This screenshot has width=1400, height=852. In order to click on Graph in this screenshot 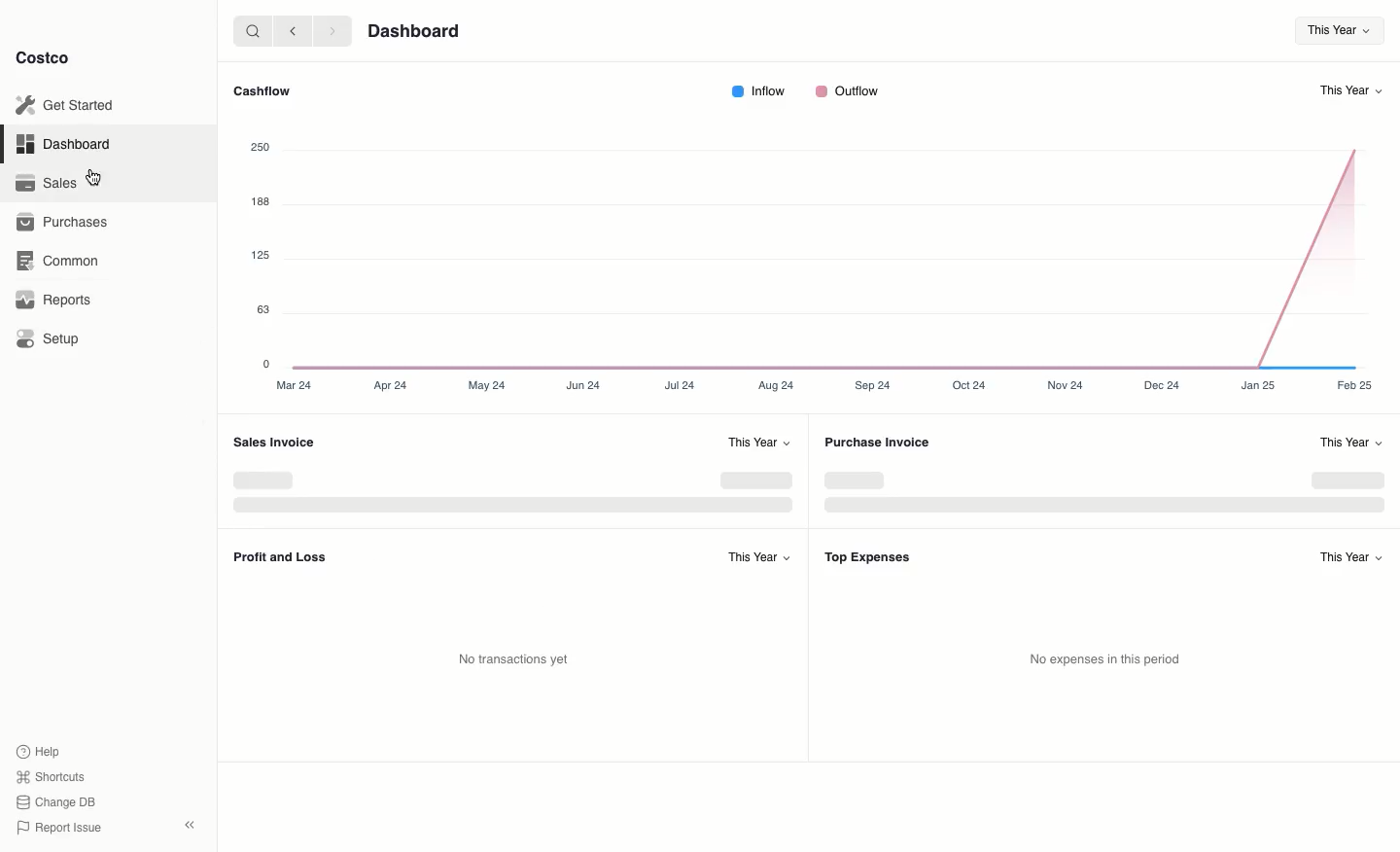, I will do `click(512, 492)`.